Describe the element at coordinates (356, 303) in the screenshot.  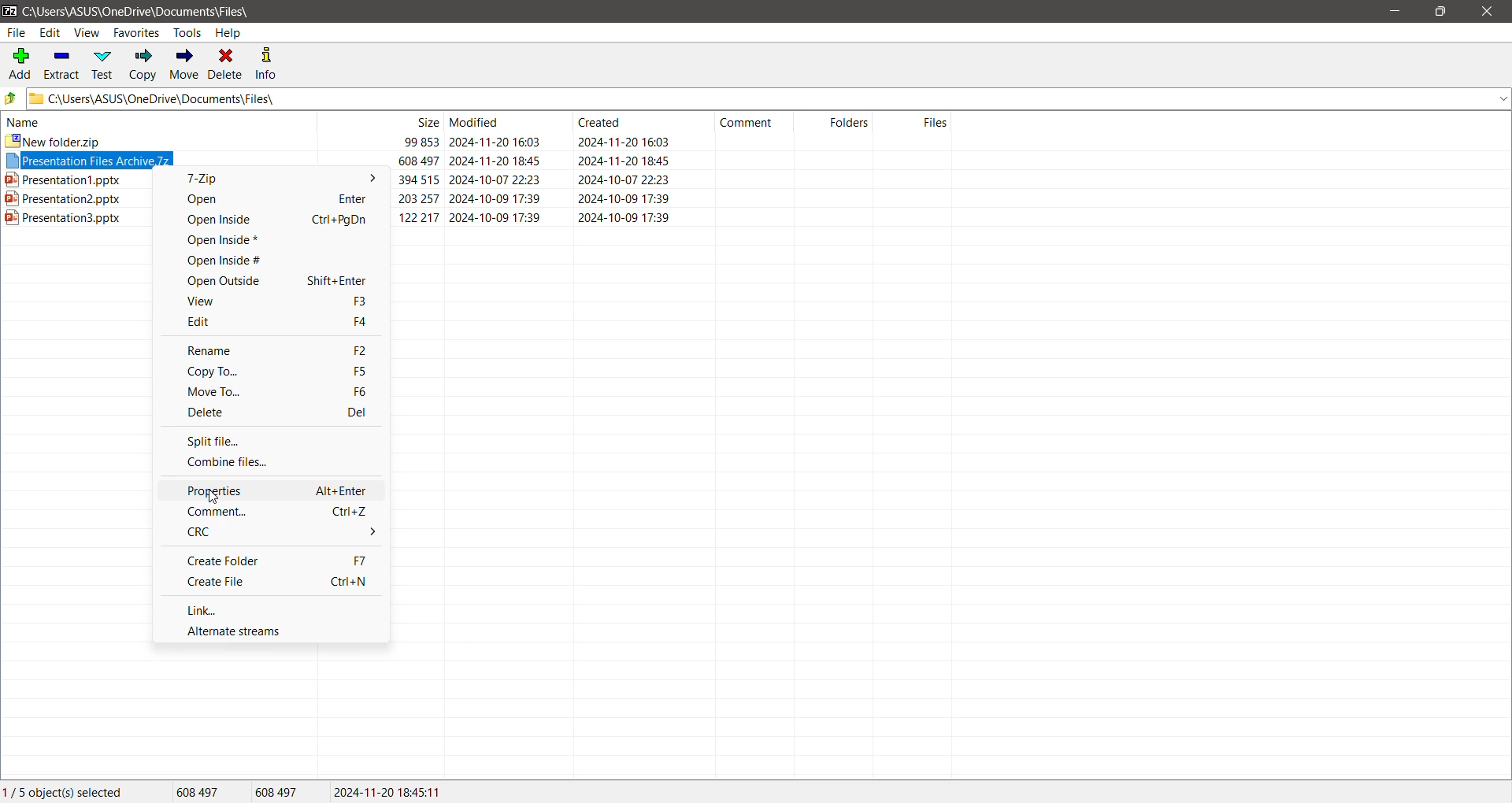
I see `F3` at that location.